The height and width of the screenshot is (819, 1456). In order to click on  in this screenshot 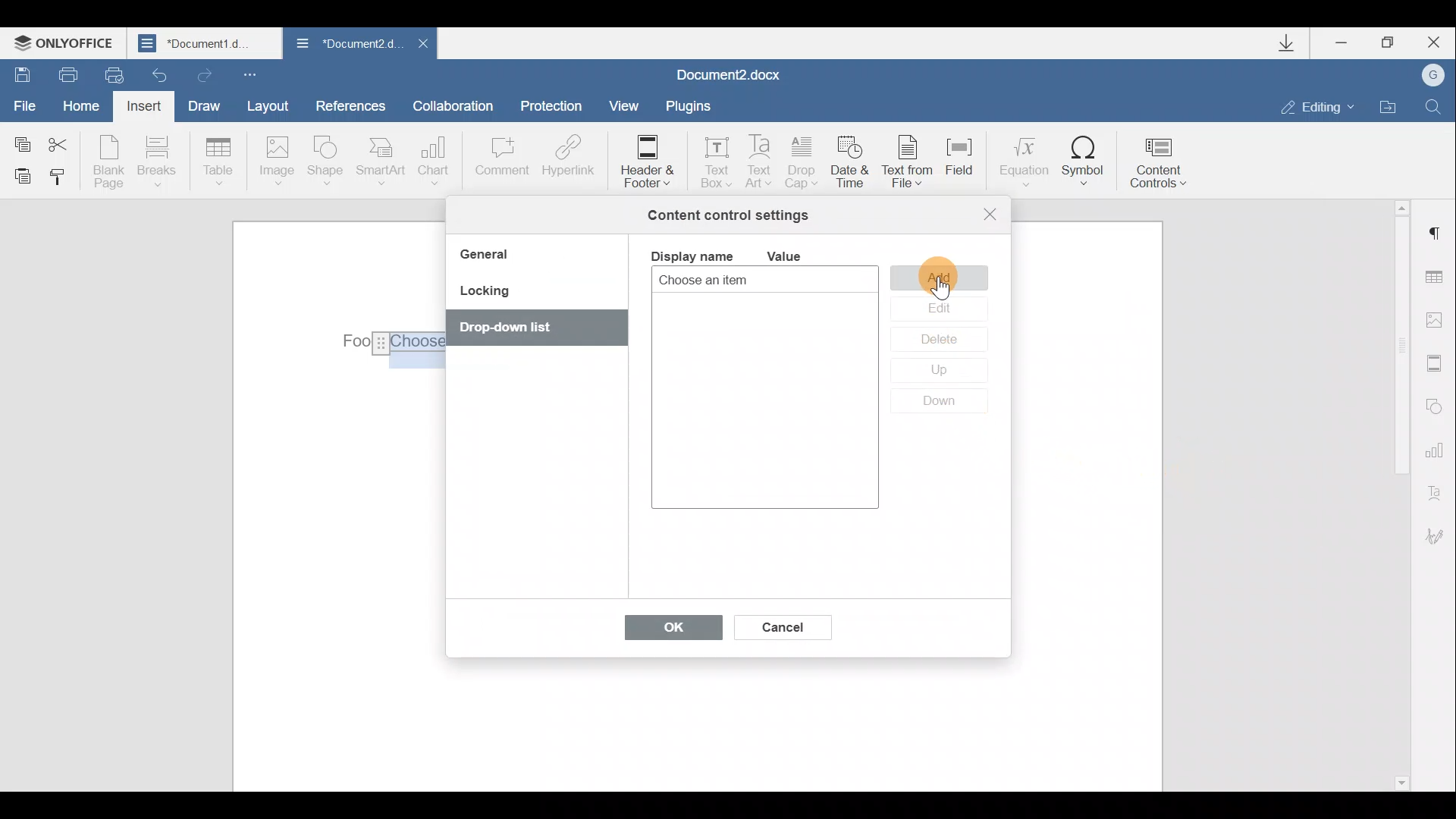, I will do `click(386, 342)`.